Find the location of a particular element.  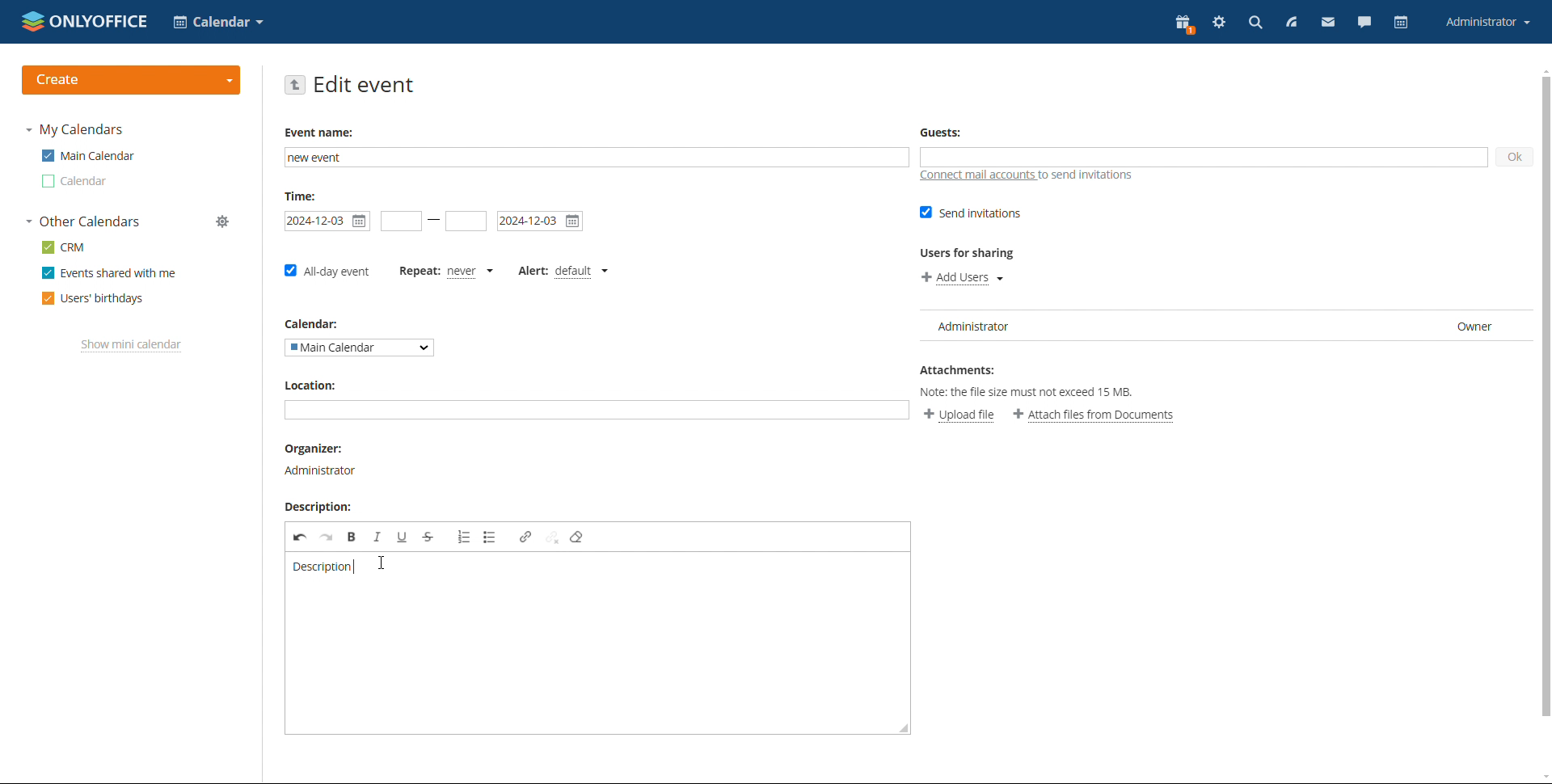

start date is located at coordinates (402, 221).